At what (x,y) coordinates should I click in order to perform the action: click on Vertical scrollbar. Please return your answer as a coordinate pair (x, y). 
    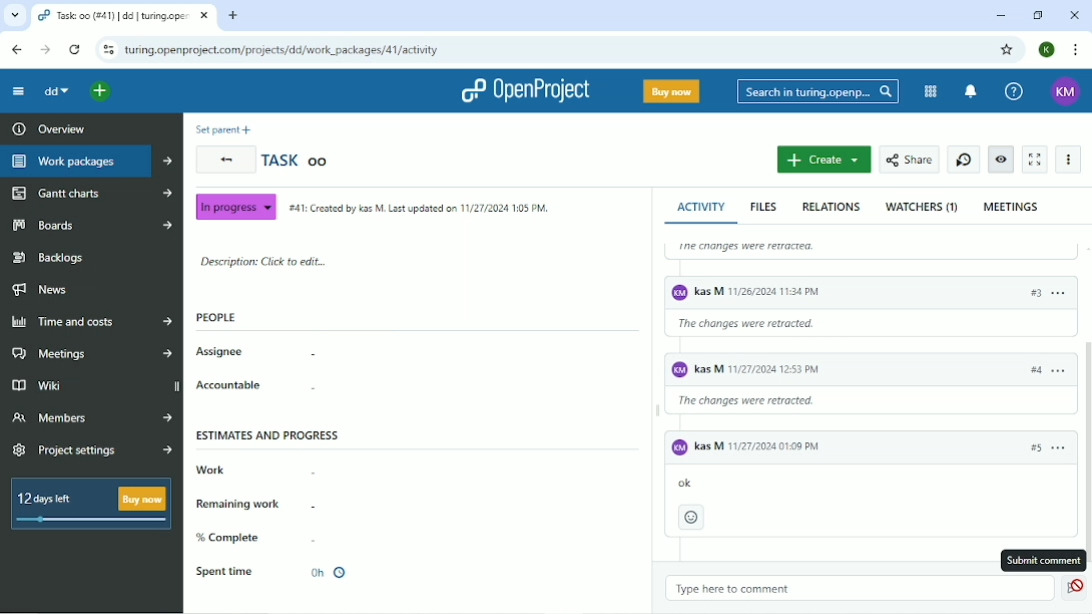
    Looking at the image, I should click on (1085, 419).